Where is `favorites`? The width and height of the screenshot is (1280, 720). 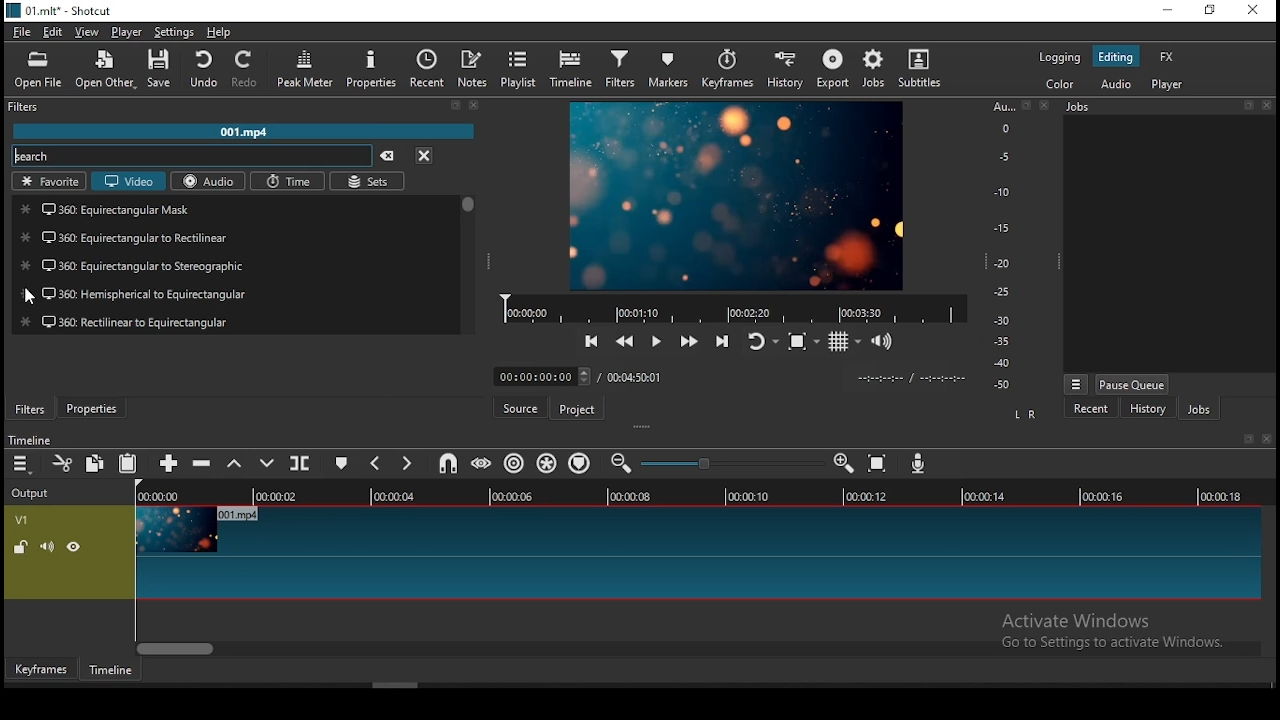
favorites is located at coordinates (47, 181).